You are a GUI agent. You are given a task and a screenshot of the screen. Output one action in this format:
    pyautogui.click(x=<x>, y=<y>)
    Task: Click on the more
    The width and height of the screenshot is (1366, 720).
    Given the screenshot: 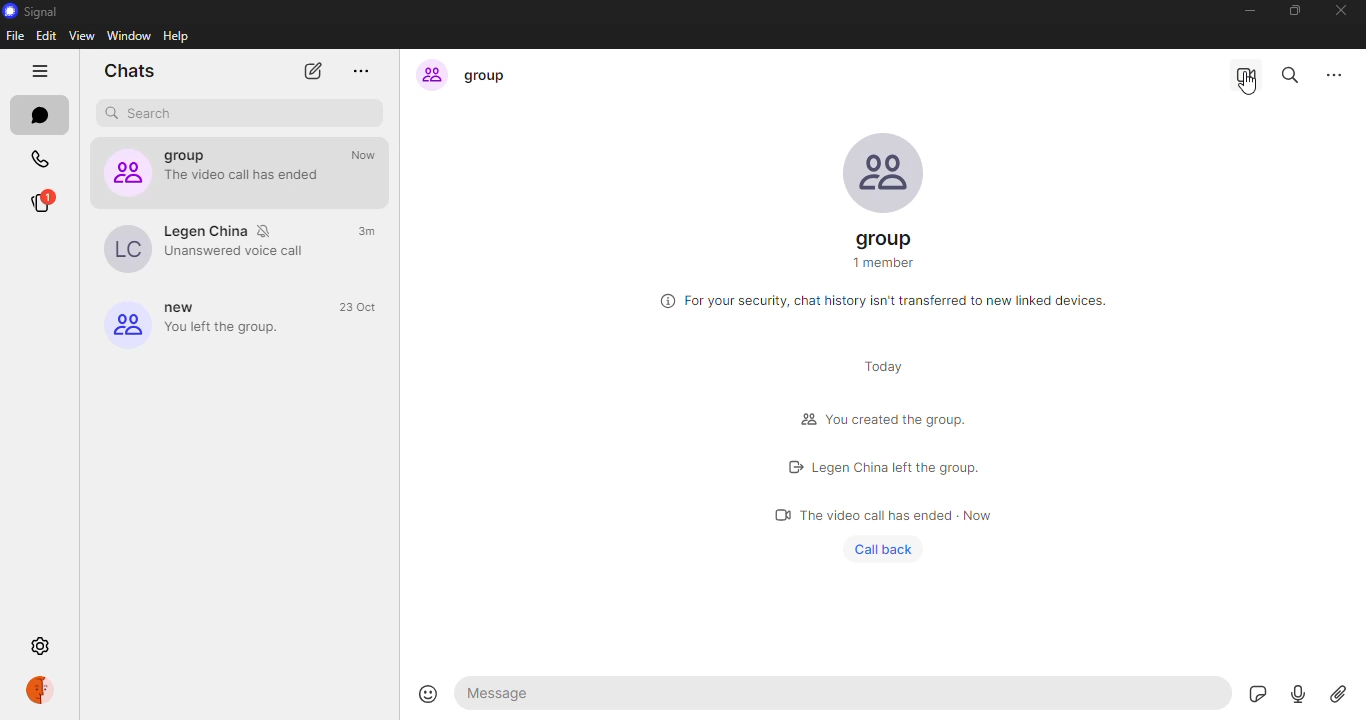 What is the action you would take?
    pyautogui.click(x=361, y=68)
    